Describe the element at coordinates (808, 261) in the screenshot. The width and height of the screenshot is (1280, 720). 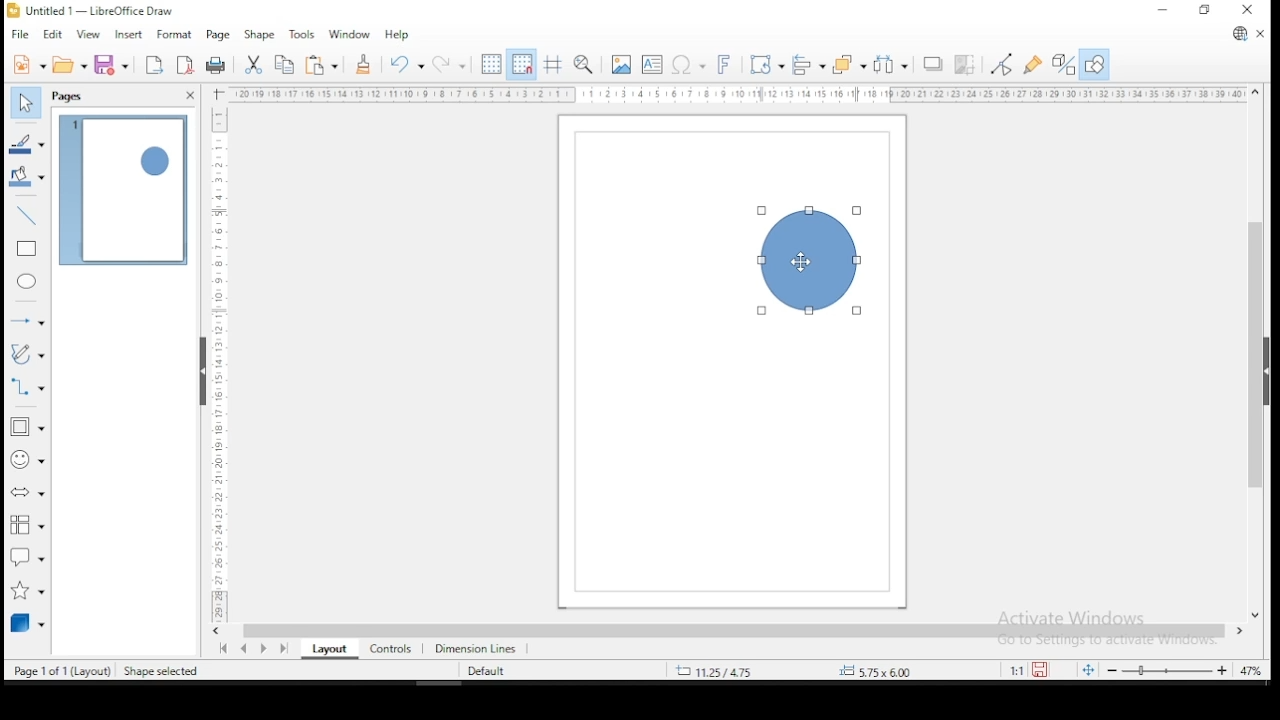
I see `shape` at that location.